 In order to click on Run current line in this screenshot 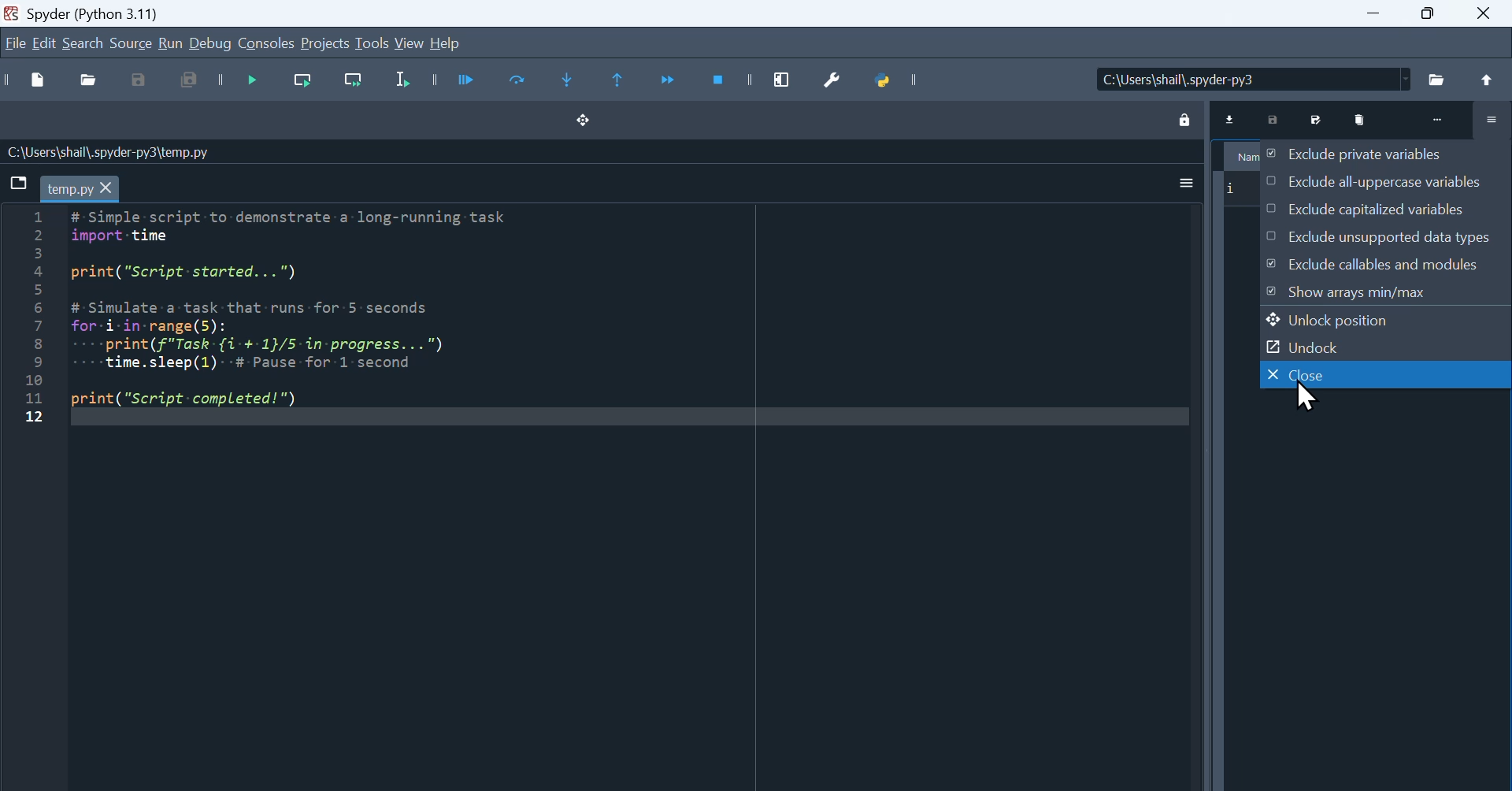, I will do `click(303, 80)`.